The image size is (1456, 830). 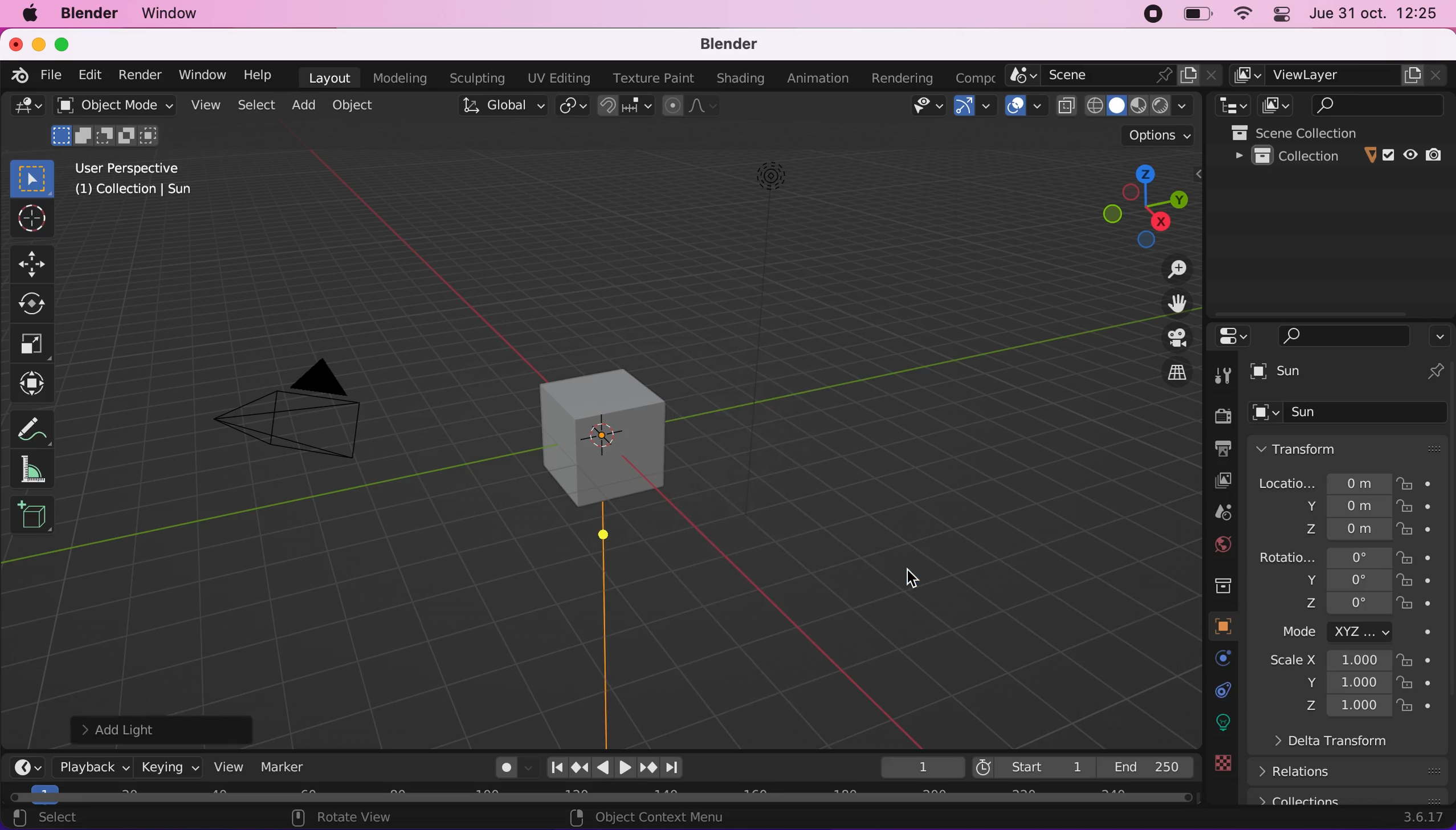 I want to click on search, so click(x=1369, y=104).